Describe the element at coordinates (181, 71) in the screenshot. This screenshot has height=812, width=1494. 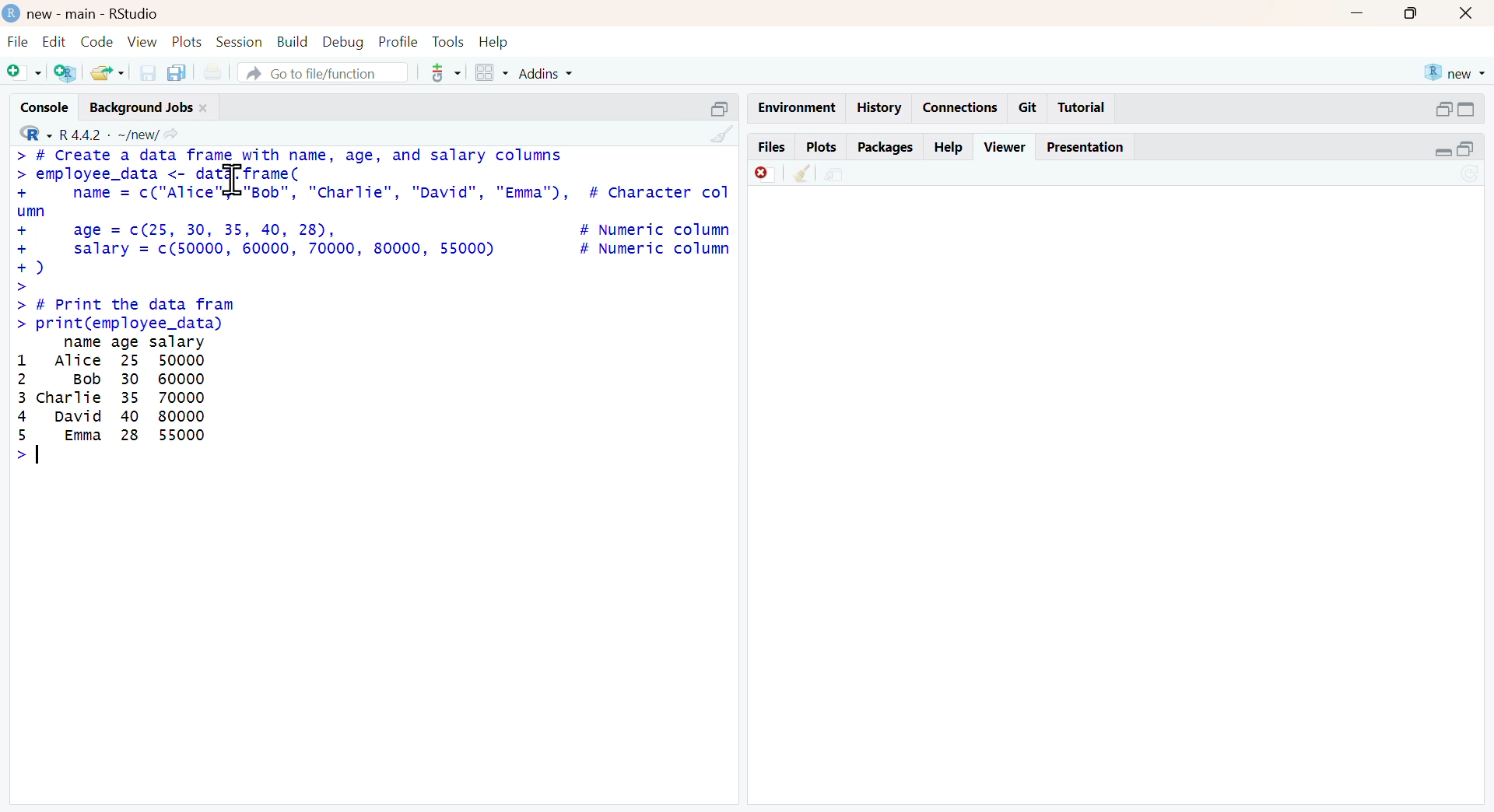
I see `Save all open documents` at that location.